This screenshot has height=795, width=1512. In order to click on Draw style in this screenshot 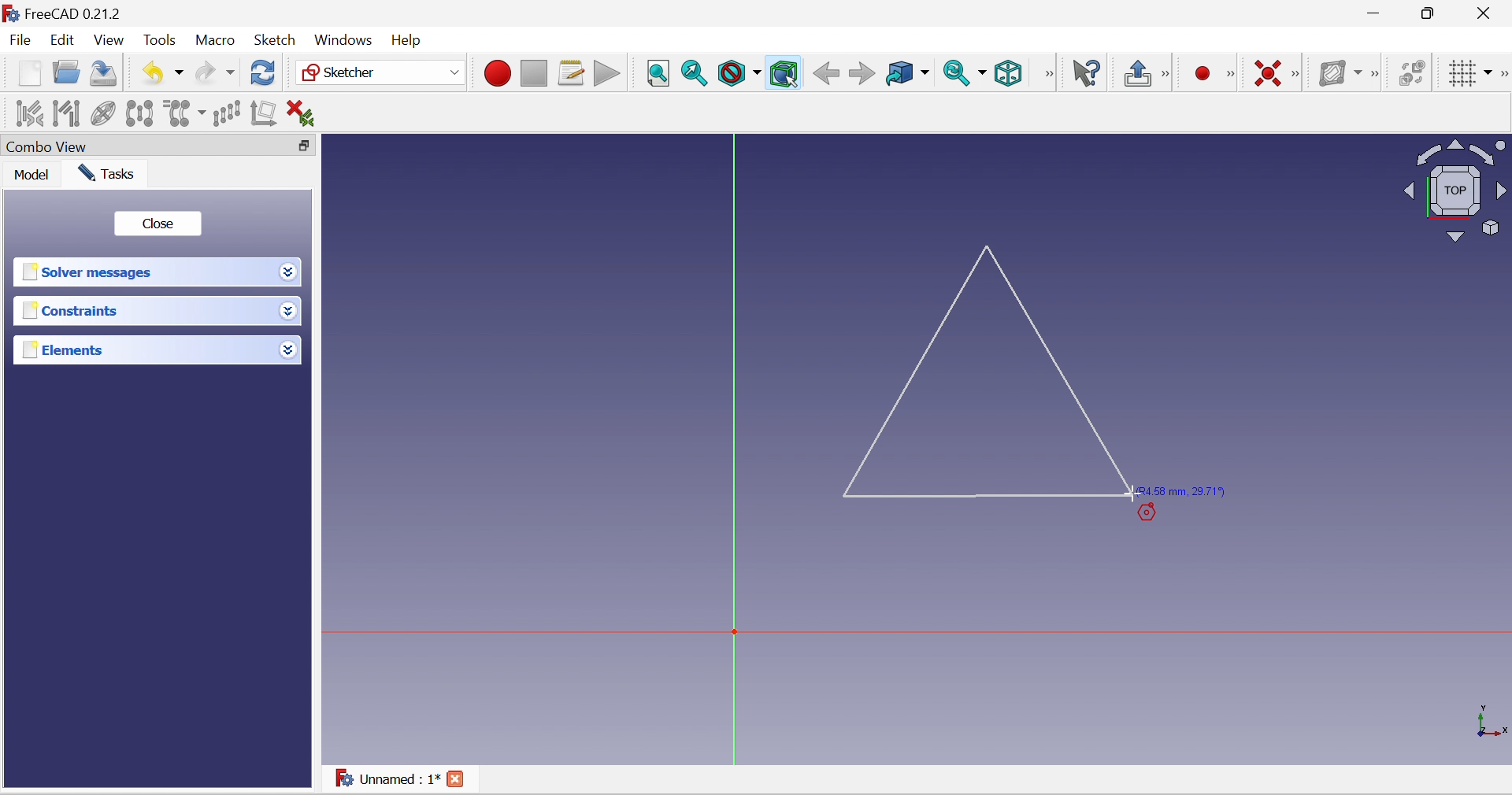, I will do `click(738, 74)`.